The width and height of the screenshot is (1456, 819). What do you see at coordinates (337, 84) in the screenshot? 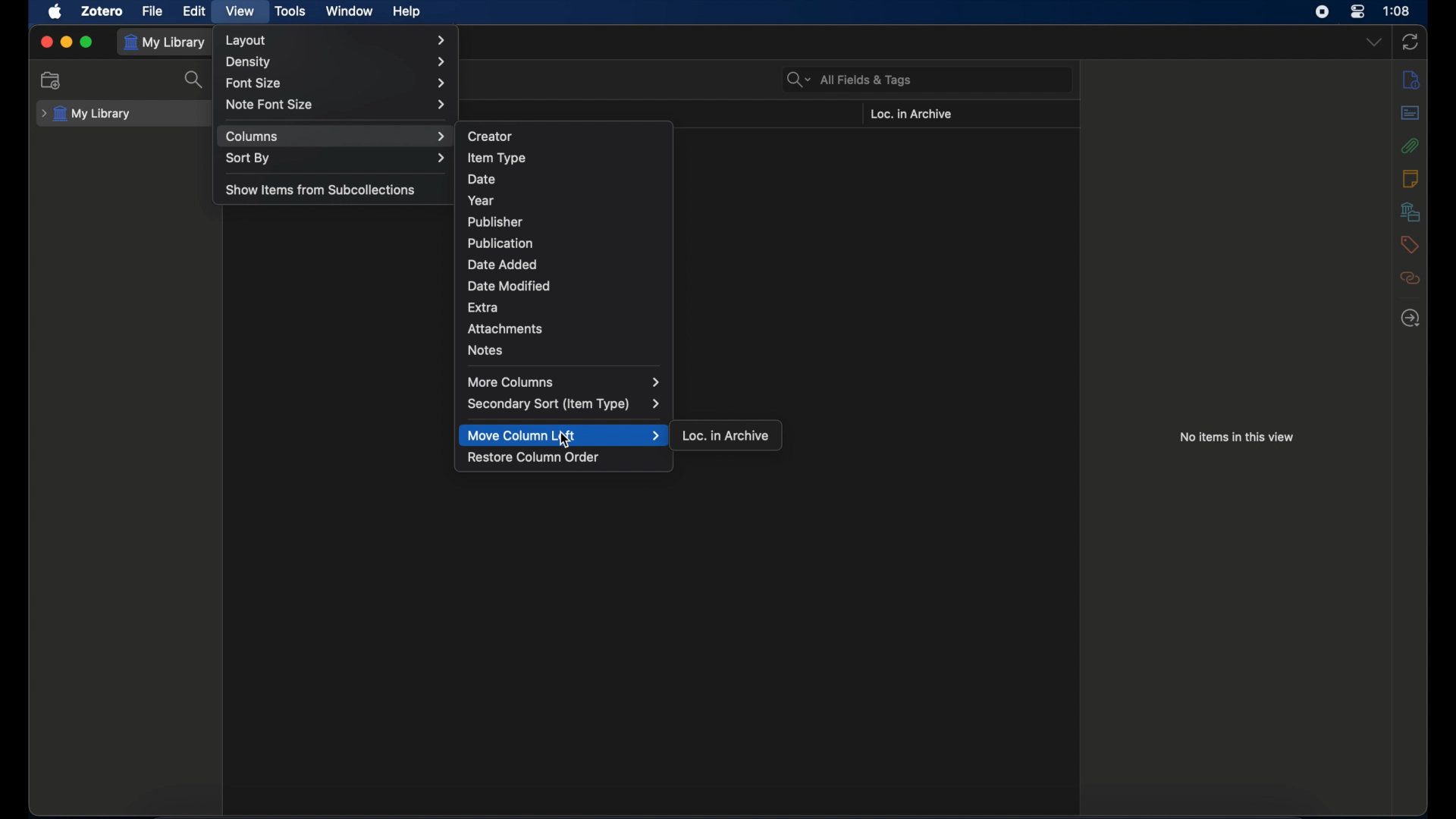
I see `font size` at bounding box center [337, 84].